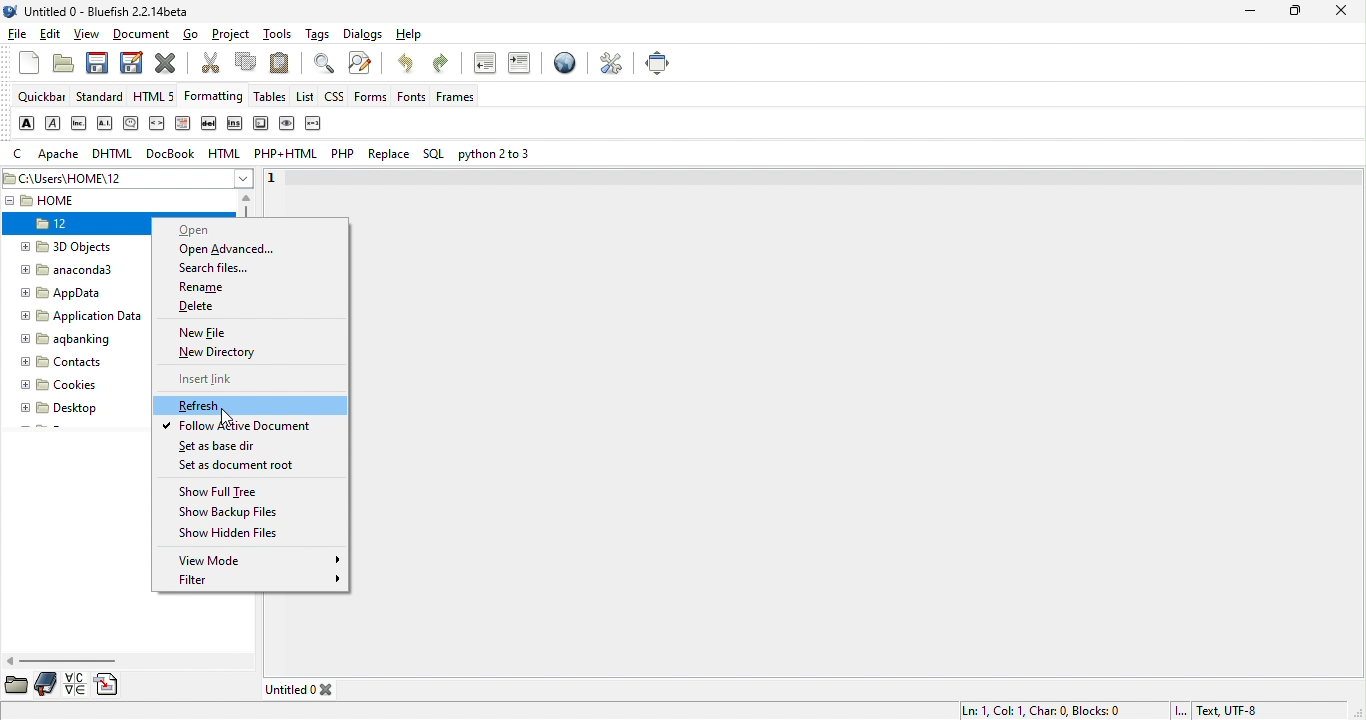  I want to click on bookmarks, so click(48, 684).